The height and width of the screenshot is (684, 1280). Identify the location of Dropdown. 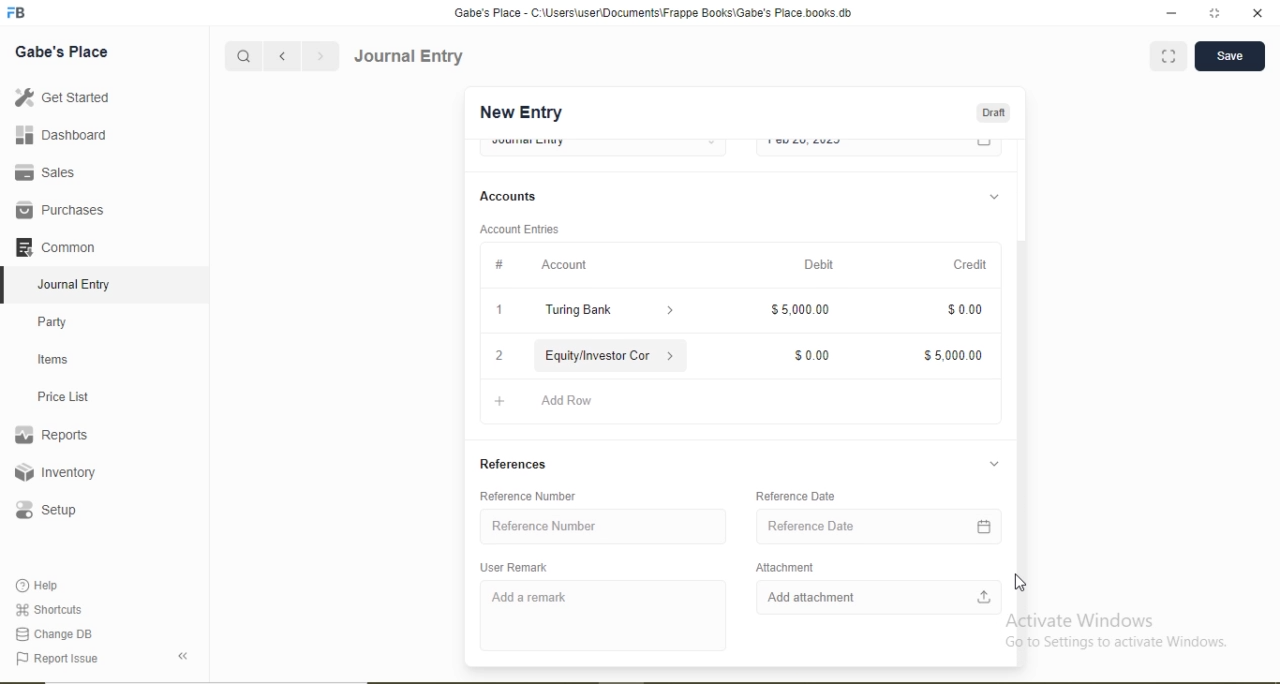
(994, 464).